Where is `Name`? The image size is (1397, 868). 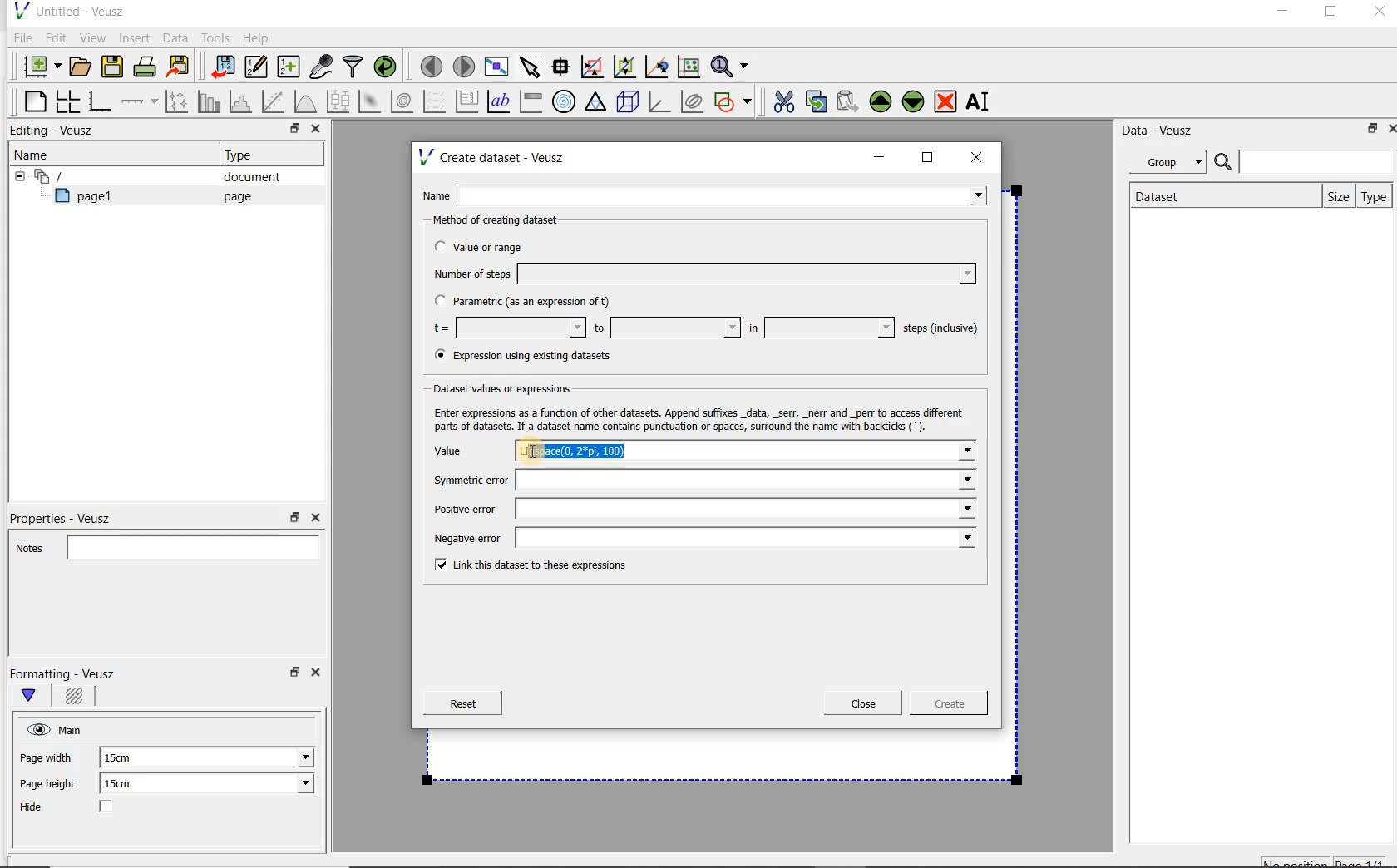 Name is located at coordinates (37, 154).